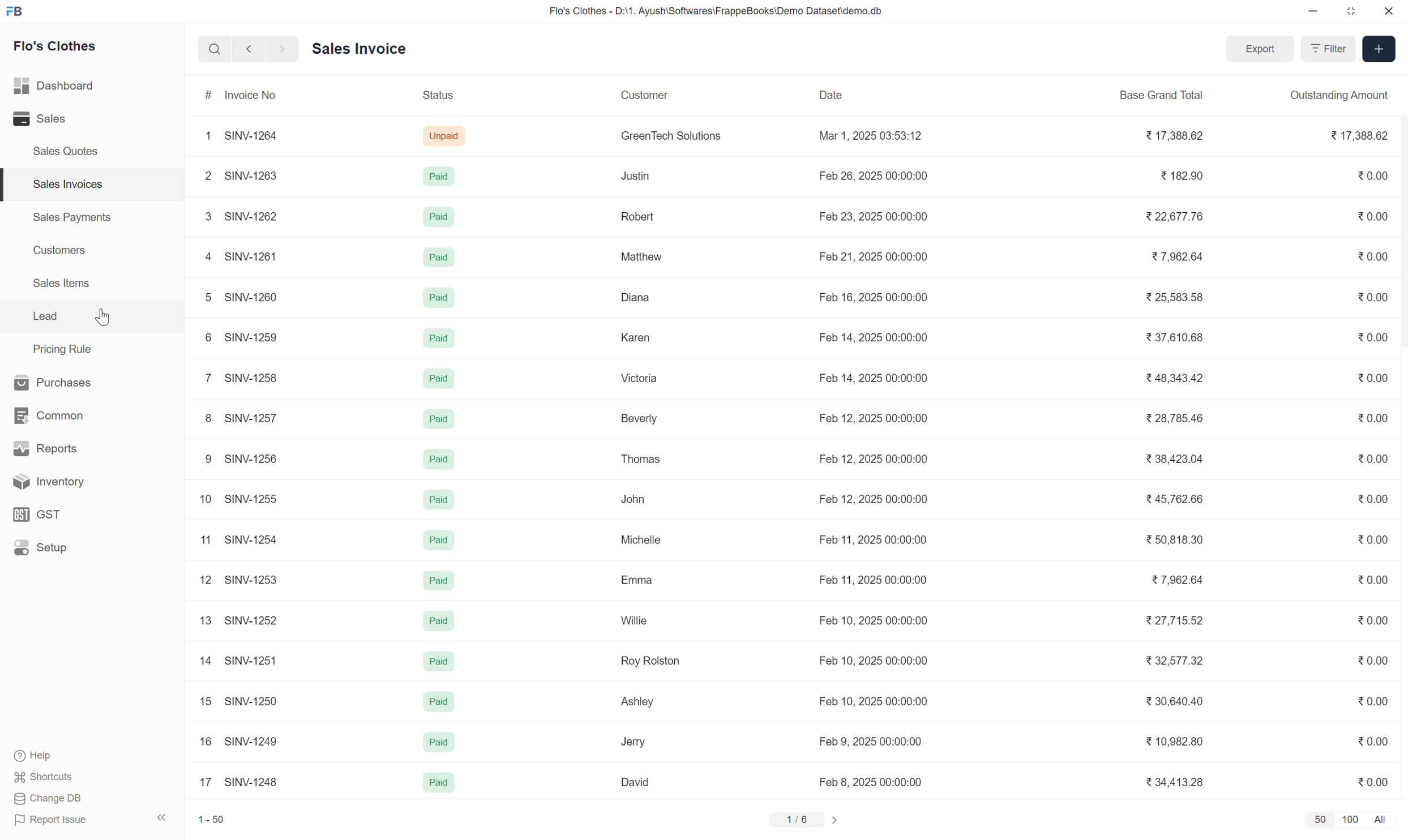 The image size is (1408, 840). I want to click on 17,388.62, so click(1355, 136).